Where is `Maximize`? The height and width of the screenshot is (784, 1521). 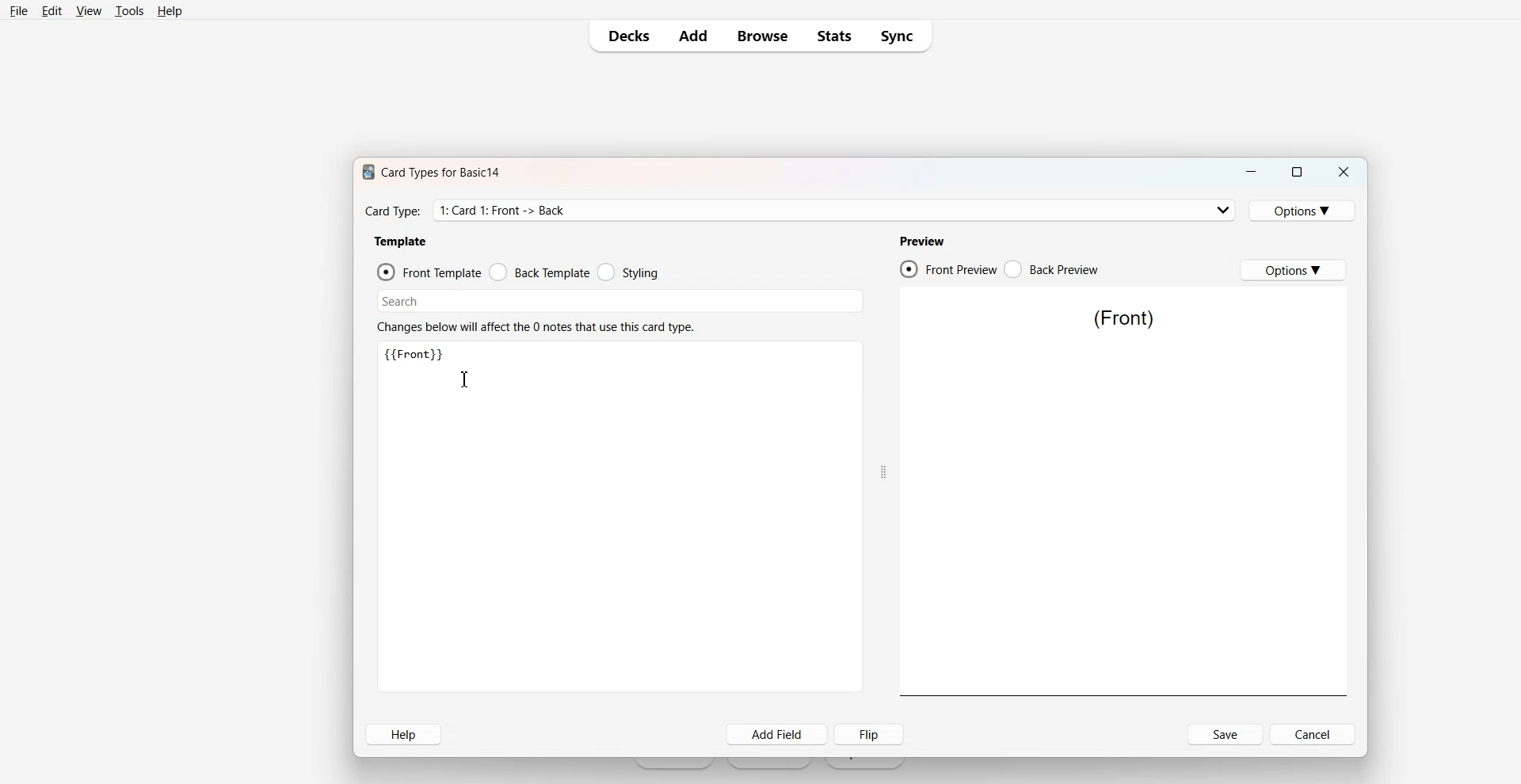 Maximize is located at coordinates (1298, 172).